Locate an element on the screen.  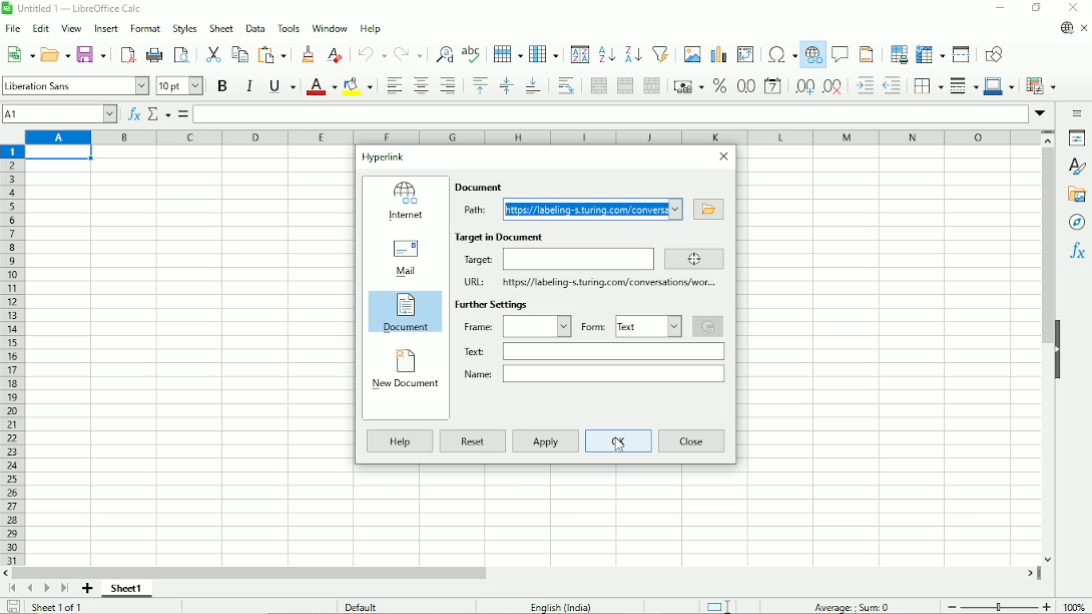
Document is located at coordinates (406, 314).